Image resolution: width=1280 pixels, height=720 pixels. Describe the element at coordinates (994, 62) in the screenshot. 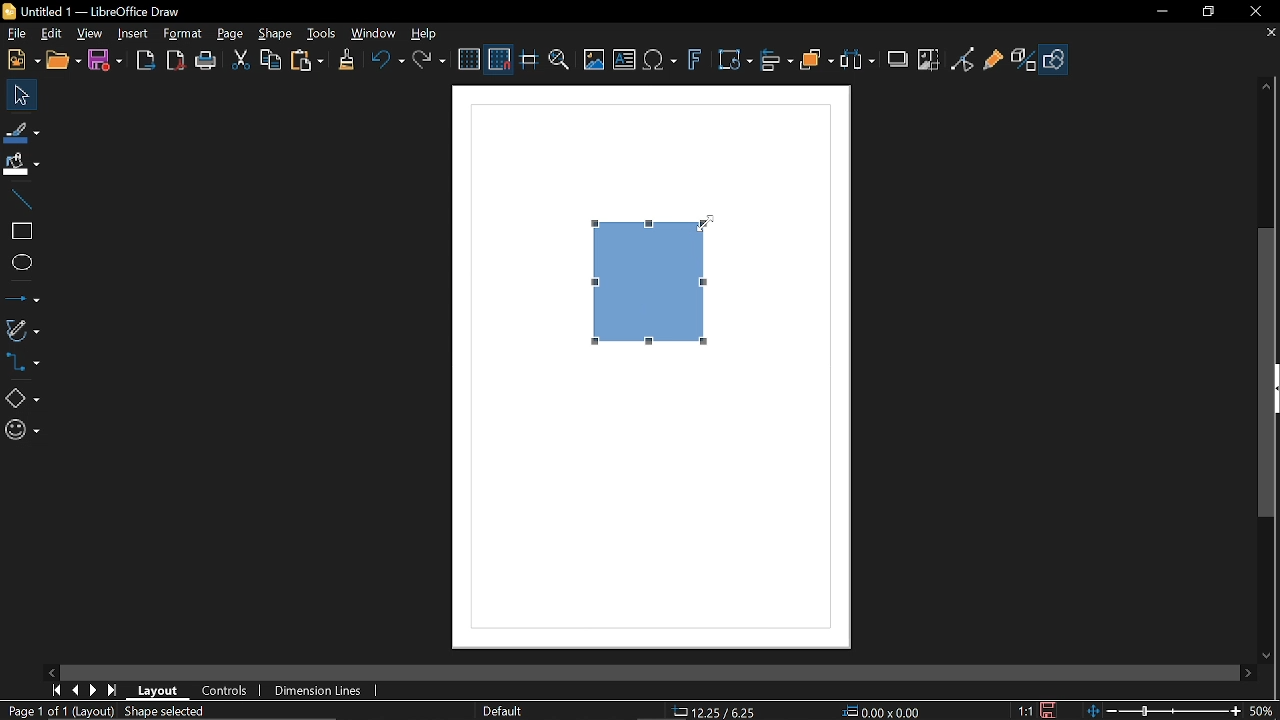

I see `Glue` at that location.